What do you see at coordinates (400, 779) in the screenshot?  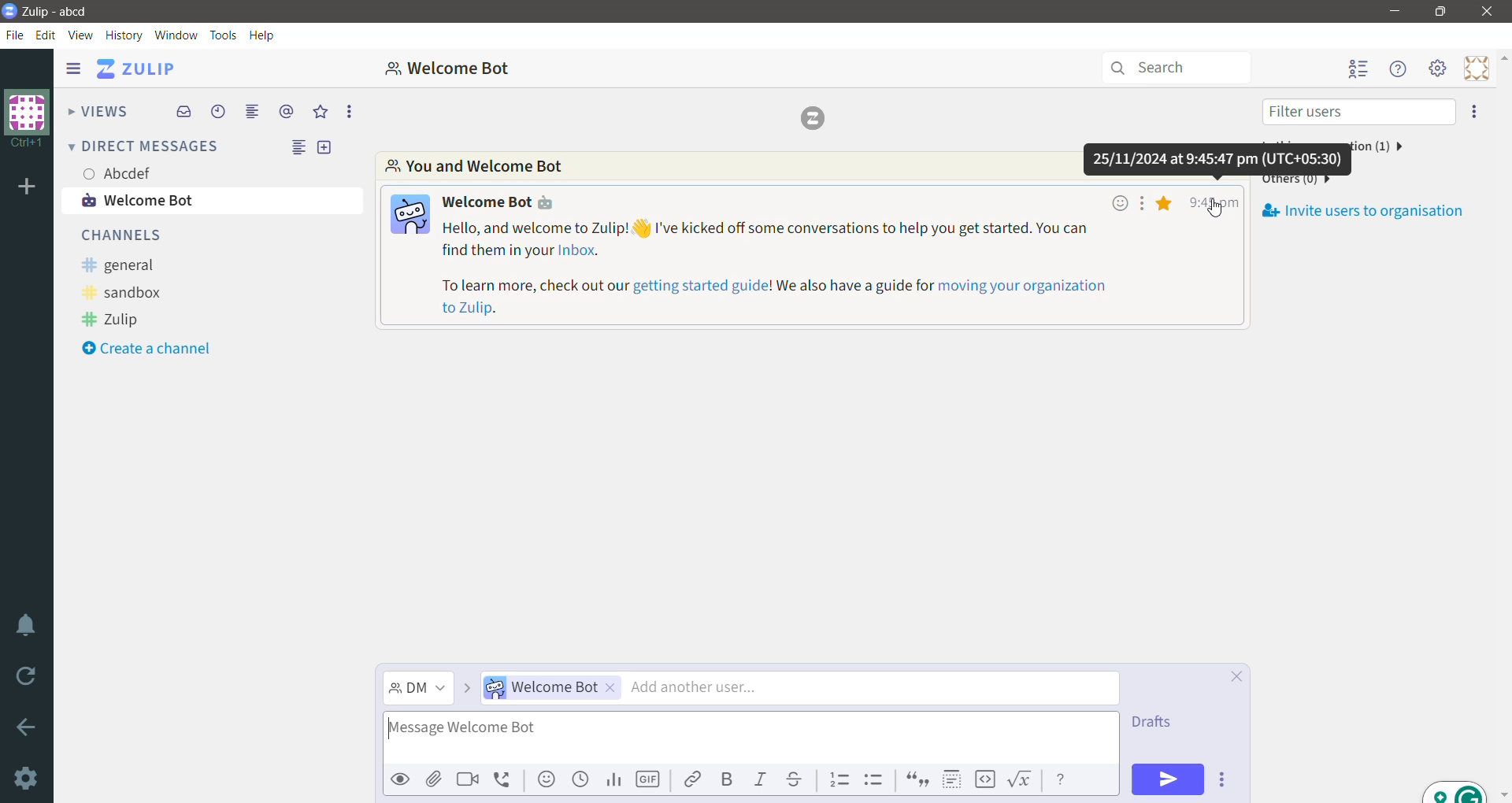 I see `Preview` at bounding box center [400, 779].